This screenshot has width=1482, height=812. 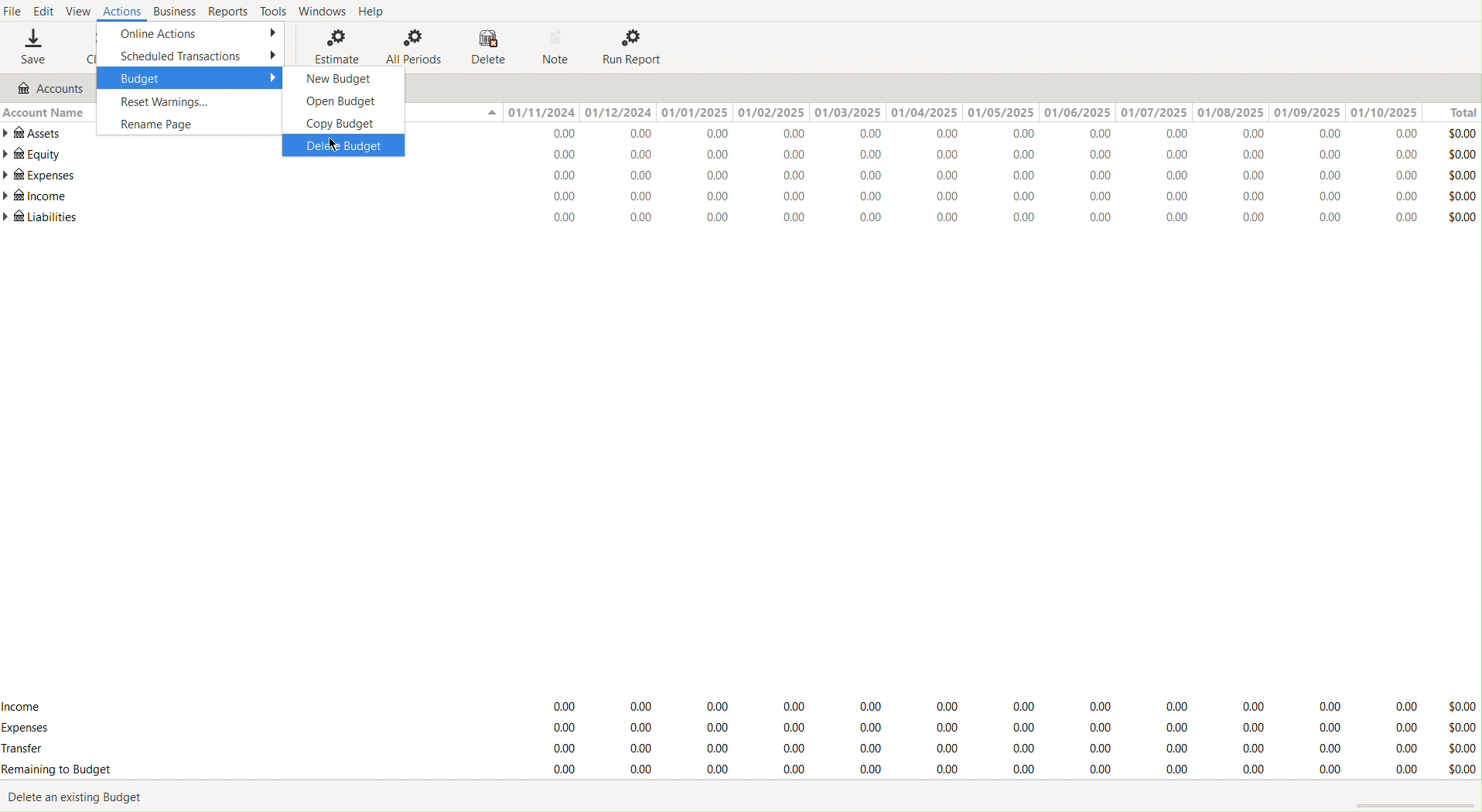 What do you see at coordinates (43, 111) in the screenshot?
I see `Account Name` at bounding box center [43, 111].